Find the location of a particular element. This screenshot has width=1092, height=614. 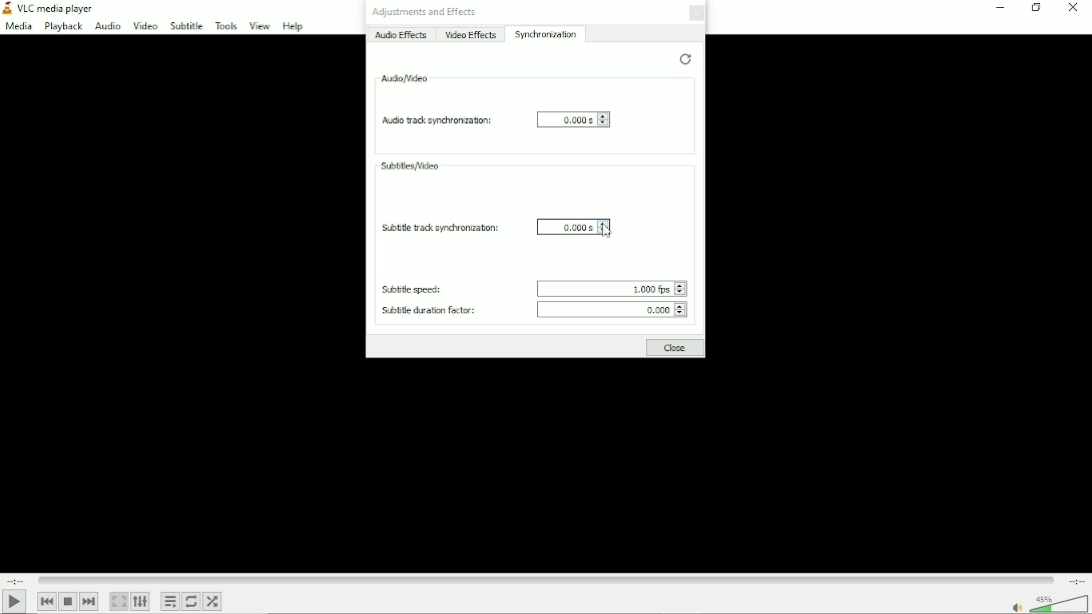

1.000 fps is located at coordinates (606, 286).